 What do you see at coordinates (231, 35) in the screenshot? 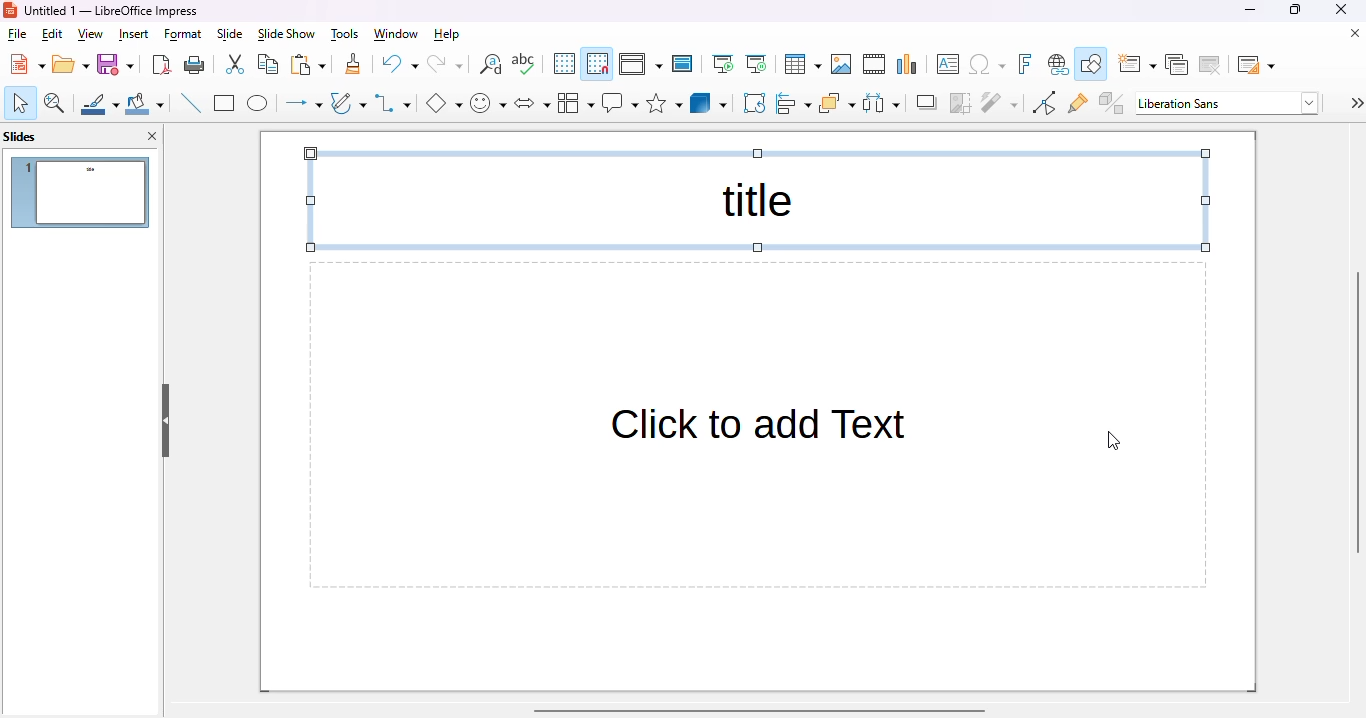
I see `slide` at bounding box center [231, 35].